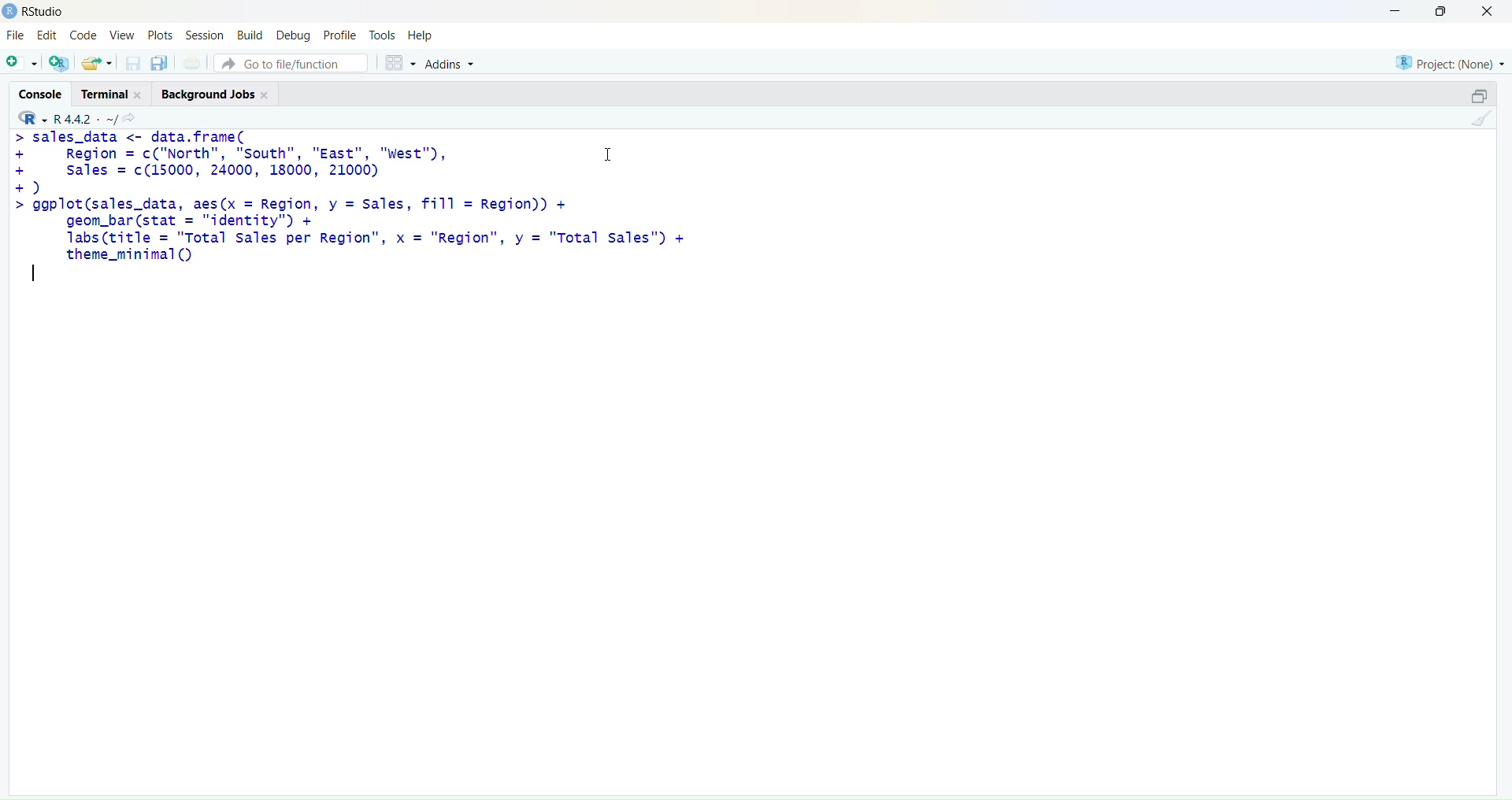 The width and height of the screenshot is (1512, 800). What do you see at coordinates (1471, 94) in the screenshot?
I see `maximise` at bounding box center [1471, 94].